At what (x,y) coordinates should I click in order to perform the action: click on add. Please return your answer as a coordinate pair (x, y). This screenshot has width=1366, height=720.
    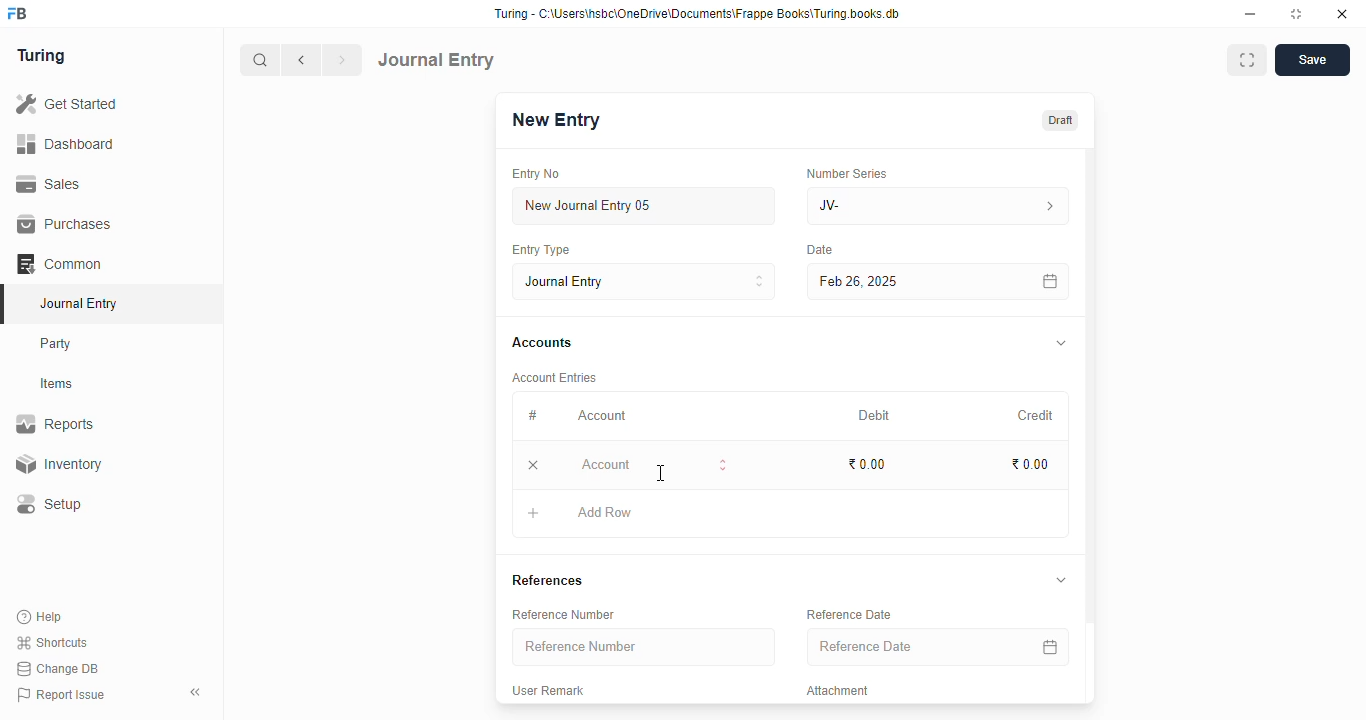
    Looking at the image, I should click on (534, 516).